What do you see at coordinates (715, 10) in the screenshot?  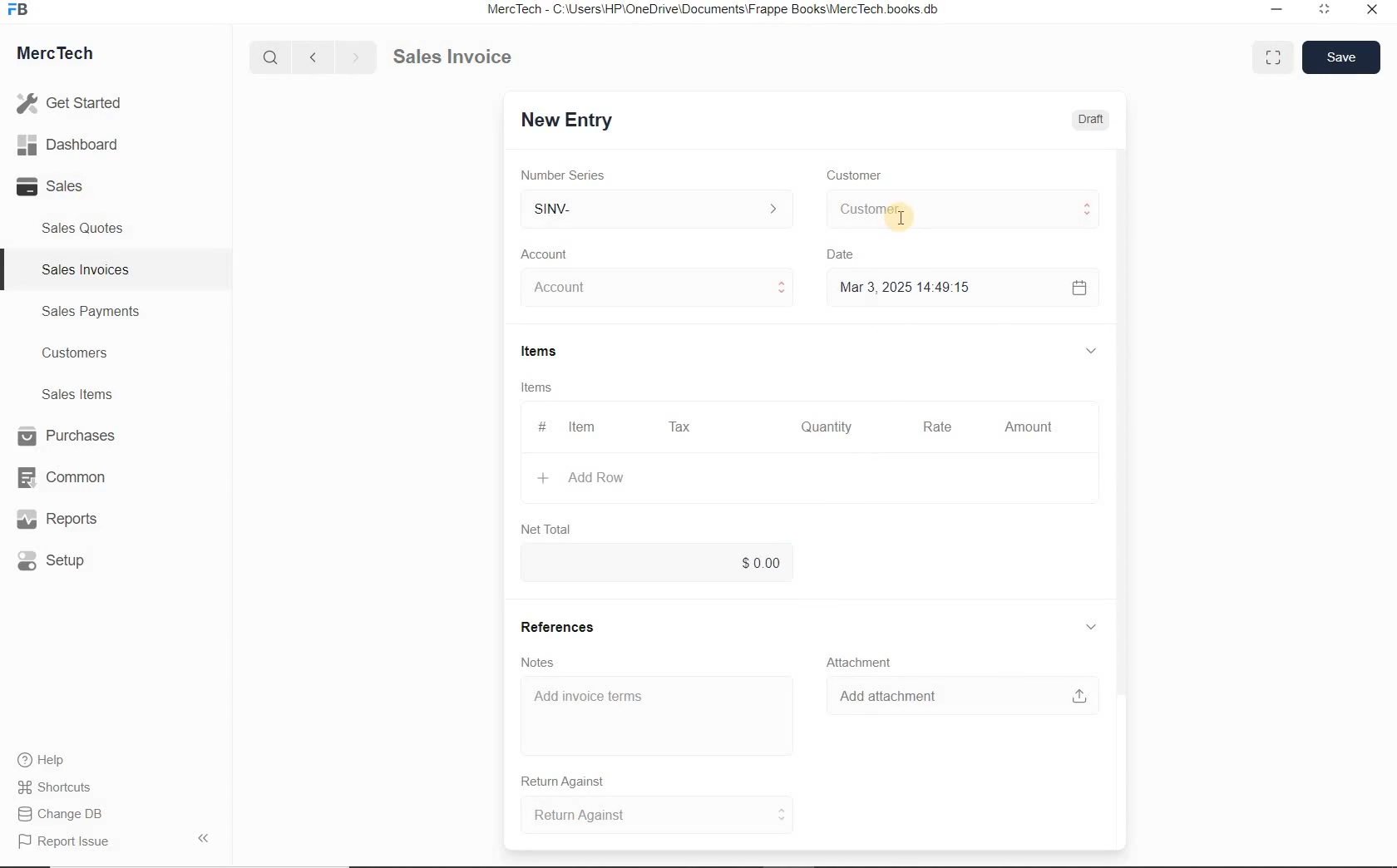 I see `MercTech - C:\Users\HP\OneDrive\Documents\Frappe Books\MercTech books db` at bounding box center [715, 10].